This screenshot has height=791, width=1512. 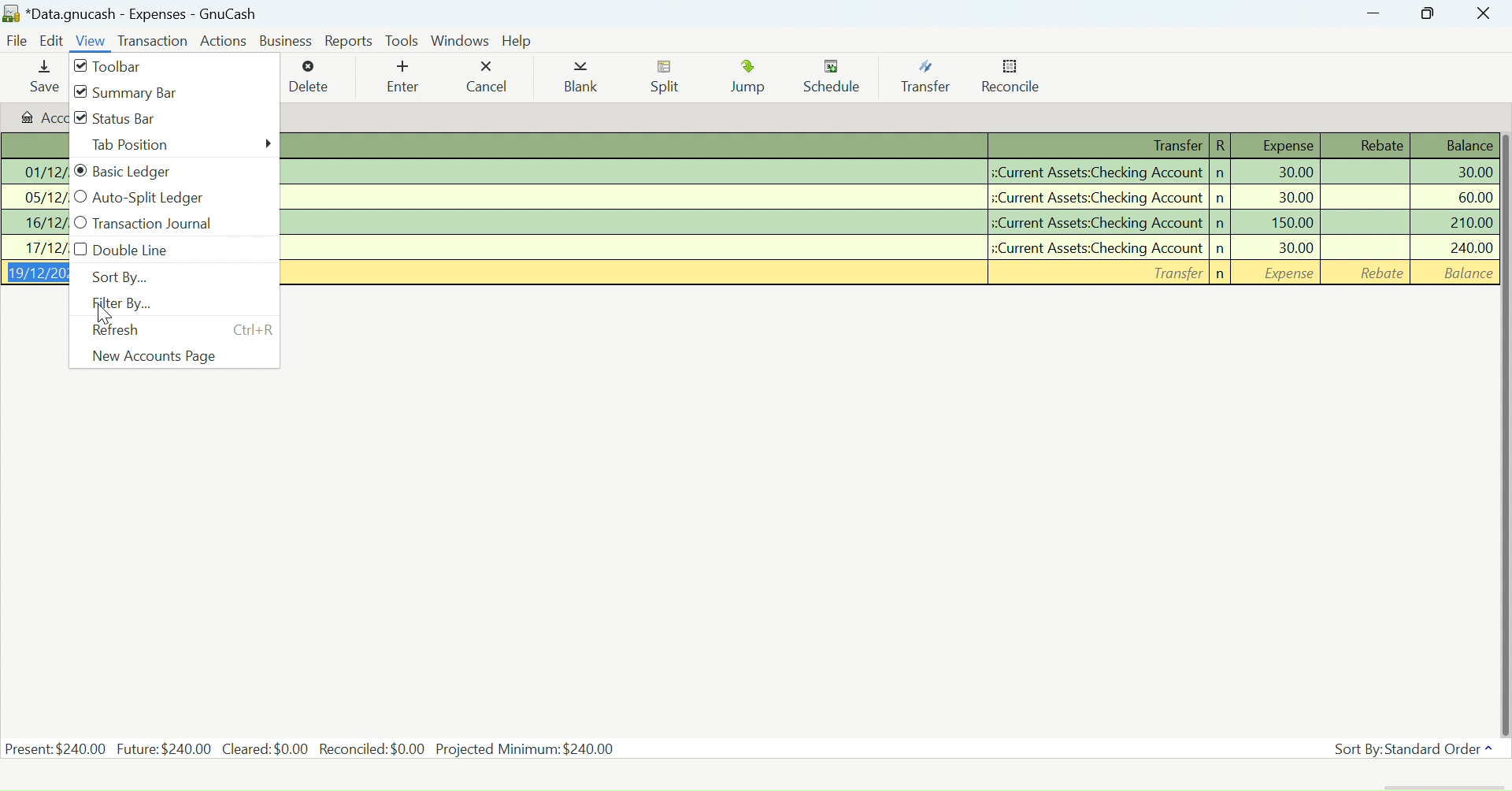 What do you see at coordinates (165, 172) in the screenshot?
I see `Basic Ledger` at bounding box center [165, 172].